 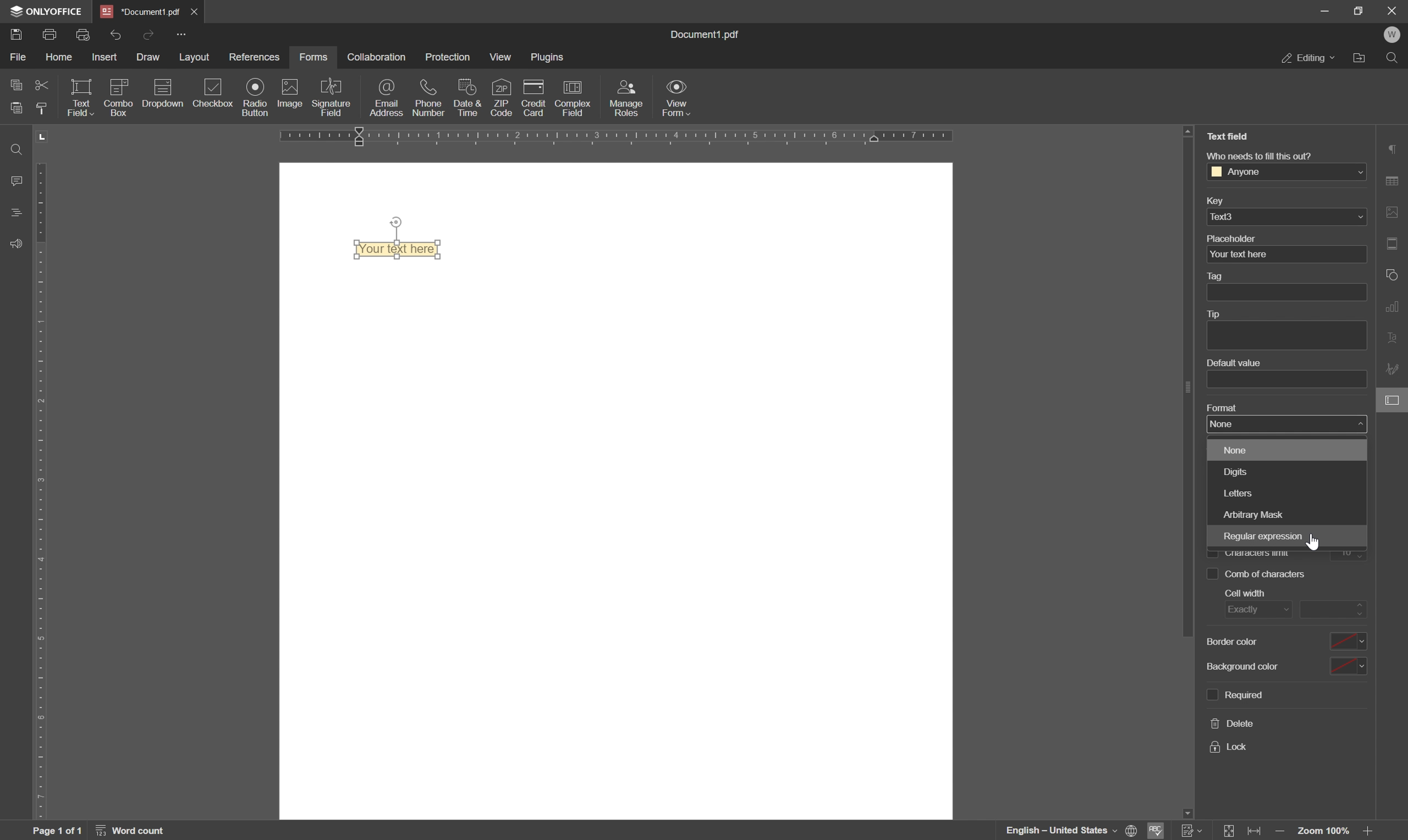 I want to click on default value, so click(x=1231, y=363).